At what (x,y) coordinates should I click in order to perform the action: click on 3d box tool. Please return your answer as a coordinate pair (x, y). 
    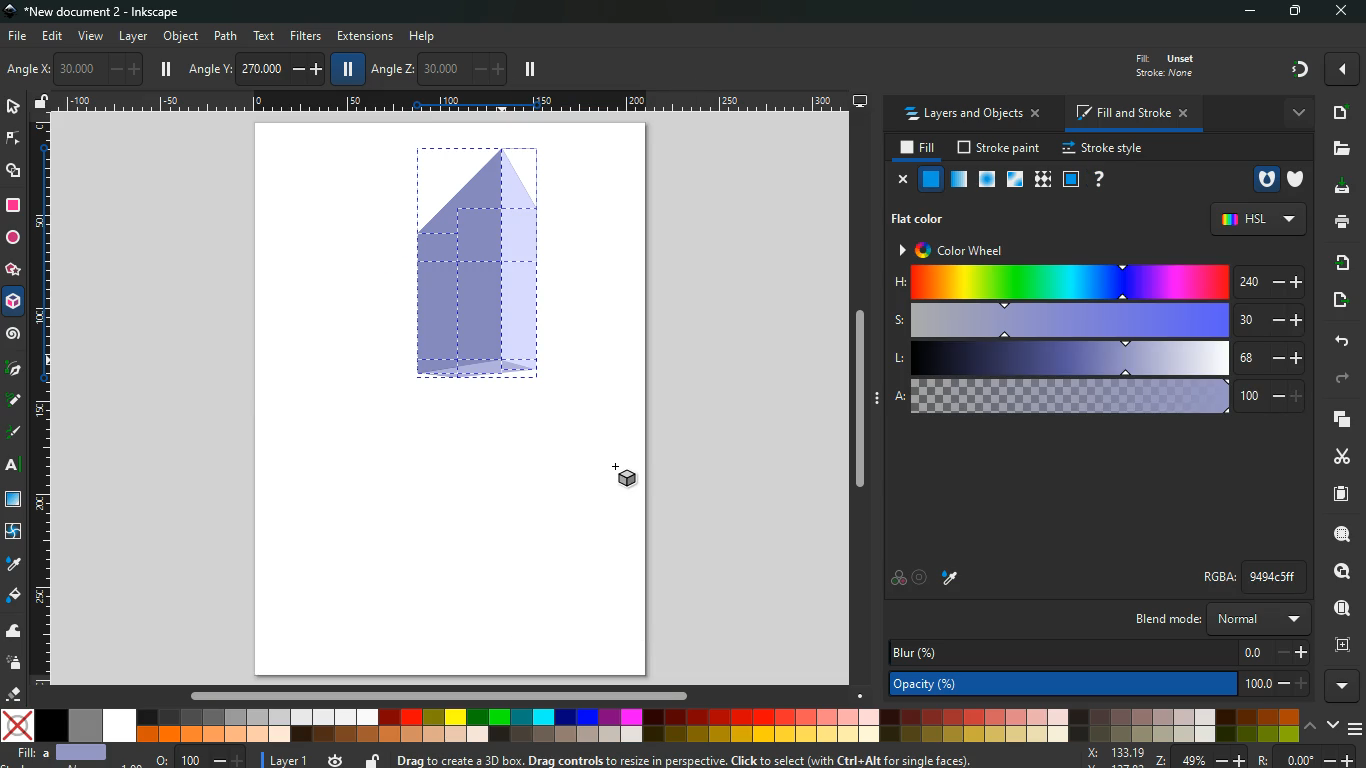
    Looking at the image, I should click on (14, 305).